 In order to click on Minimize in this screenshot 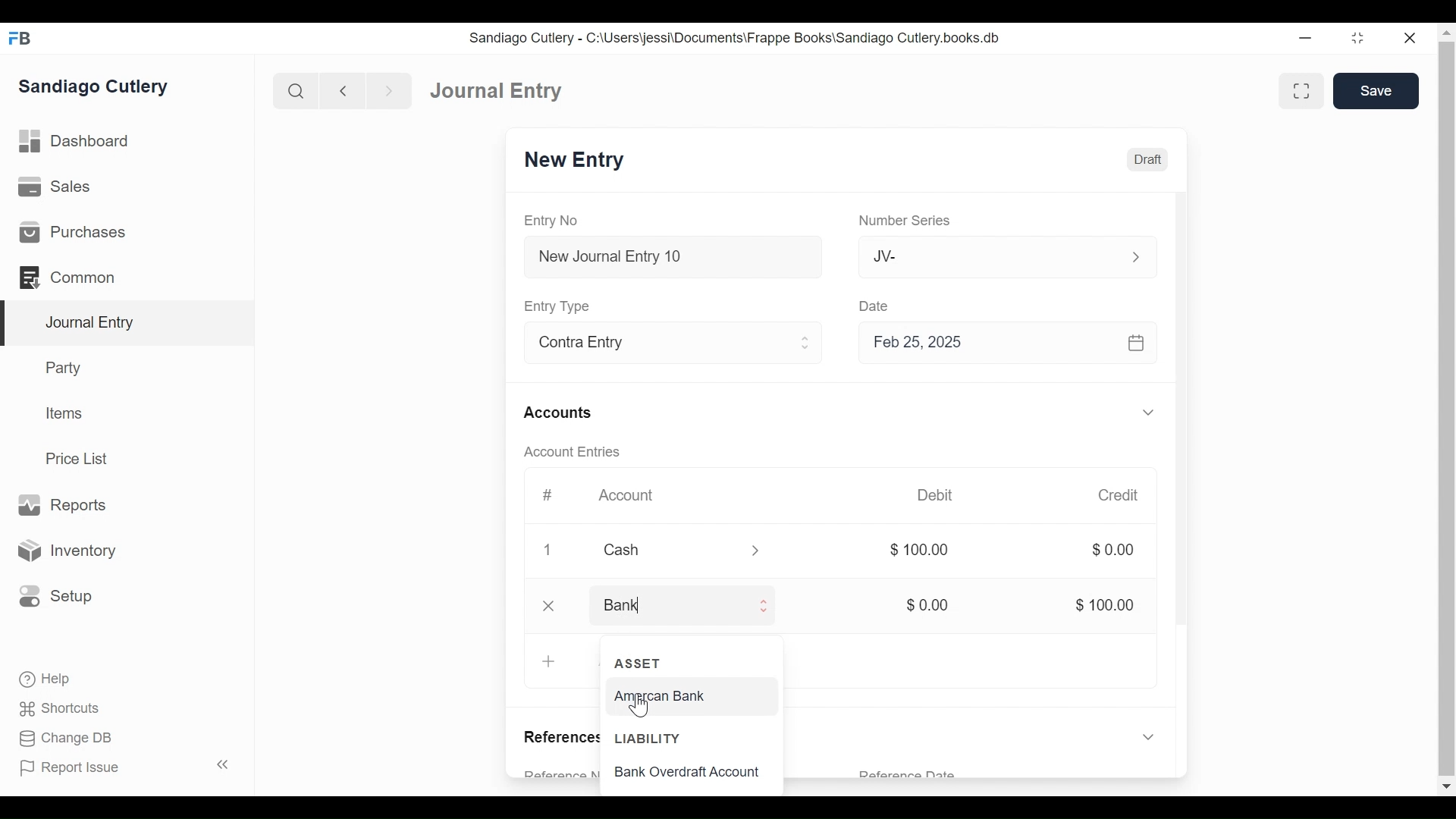, I will do `click(1304, 39)`.